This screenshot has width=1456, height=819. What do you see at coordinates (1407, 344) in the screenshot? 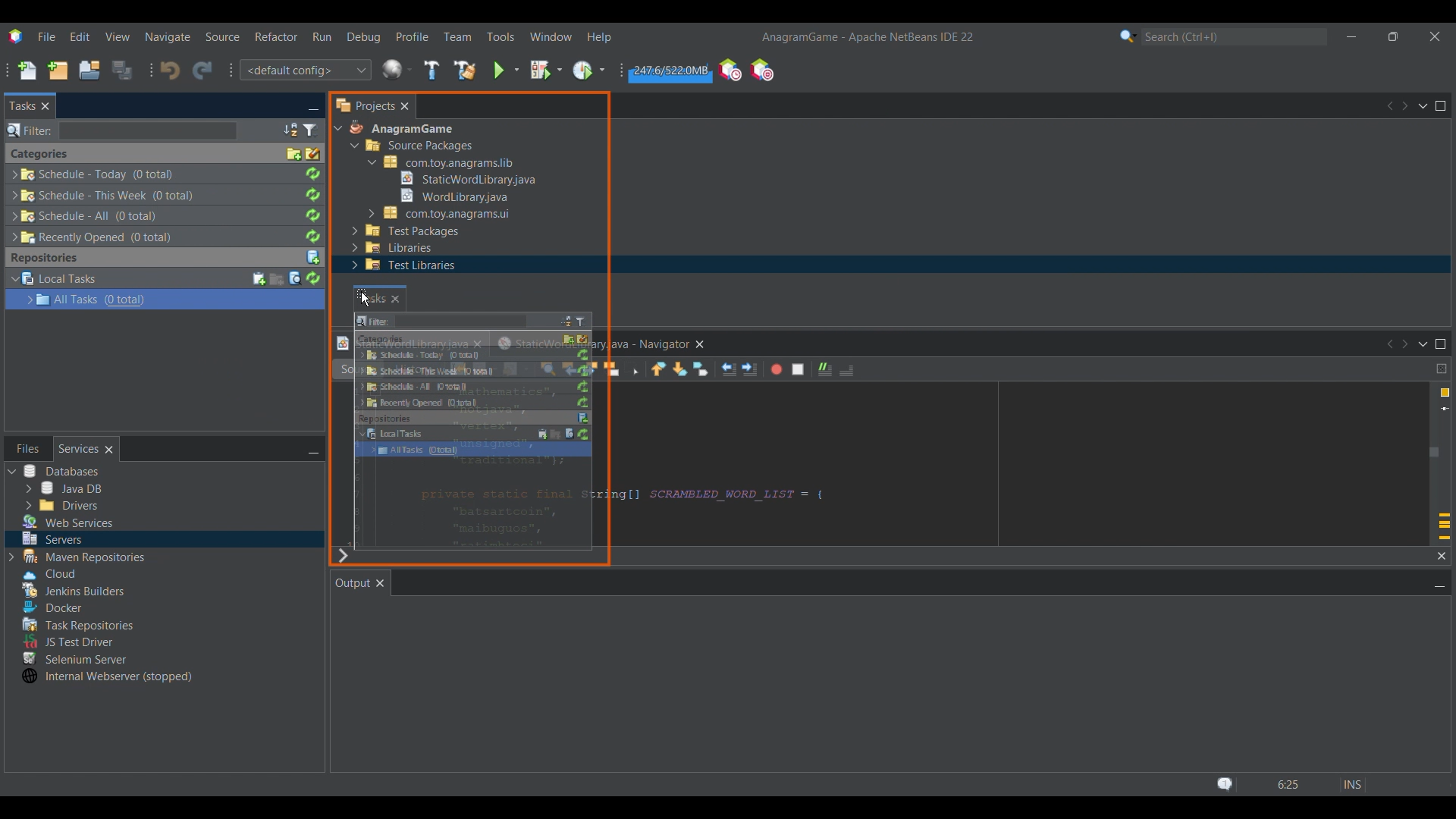
I see `Next` at bounding box center [1407, 344].